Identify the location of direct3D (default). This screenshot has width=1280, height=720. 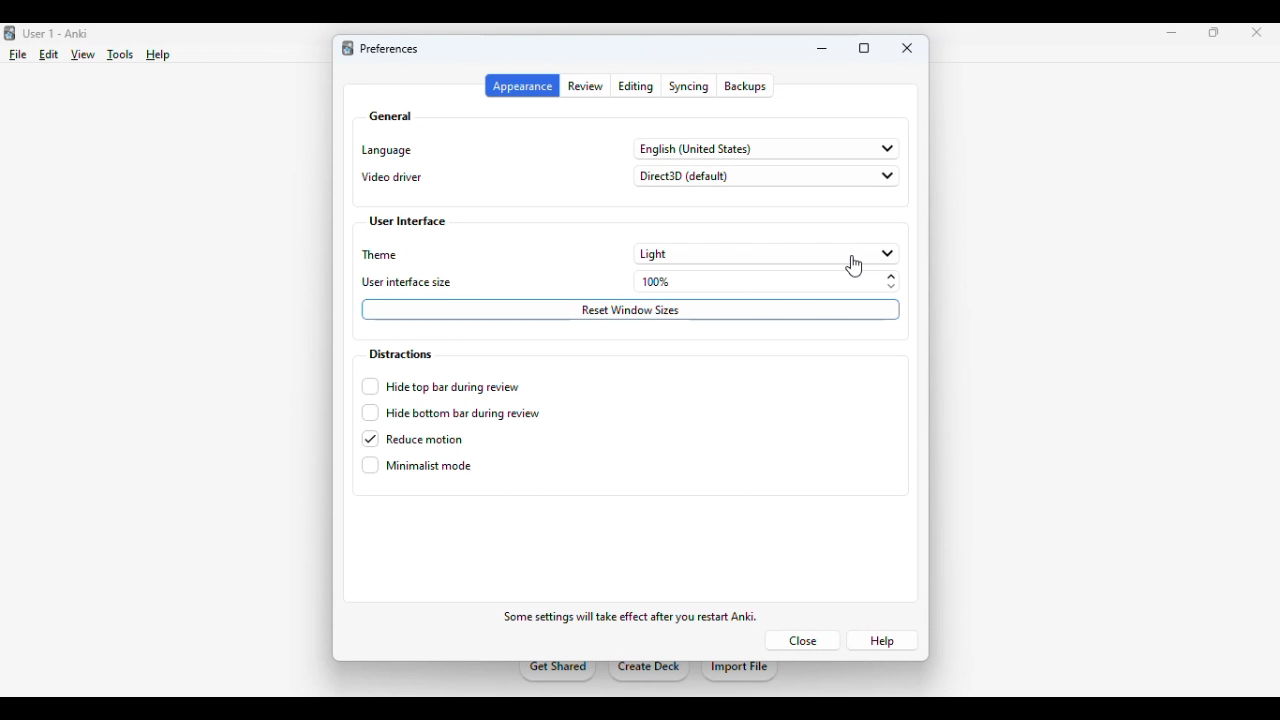
(766, 176).